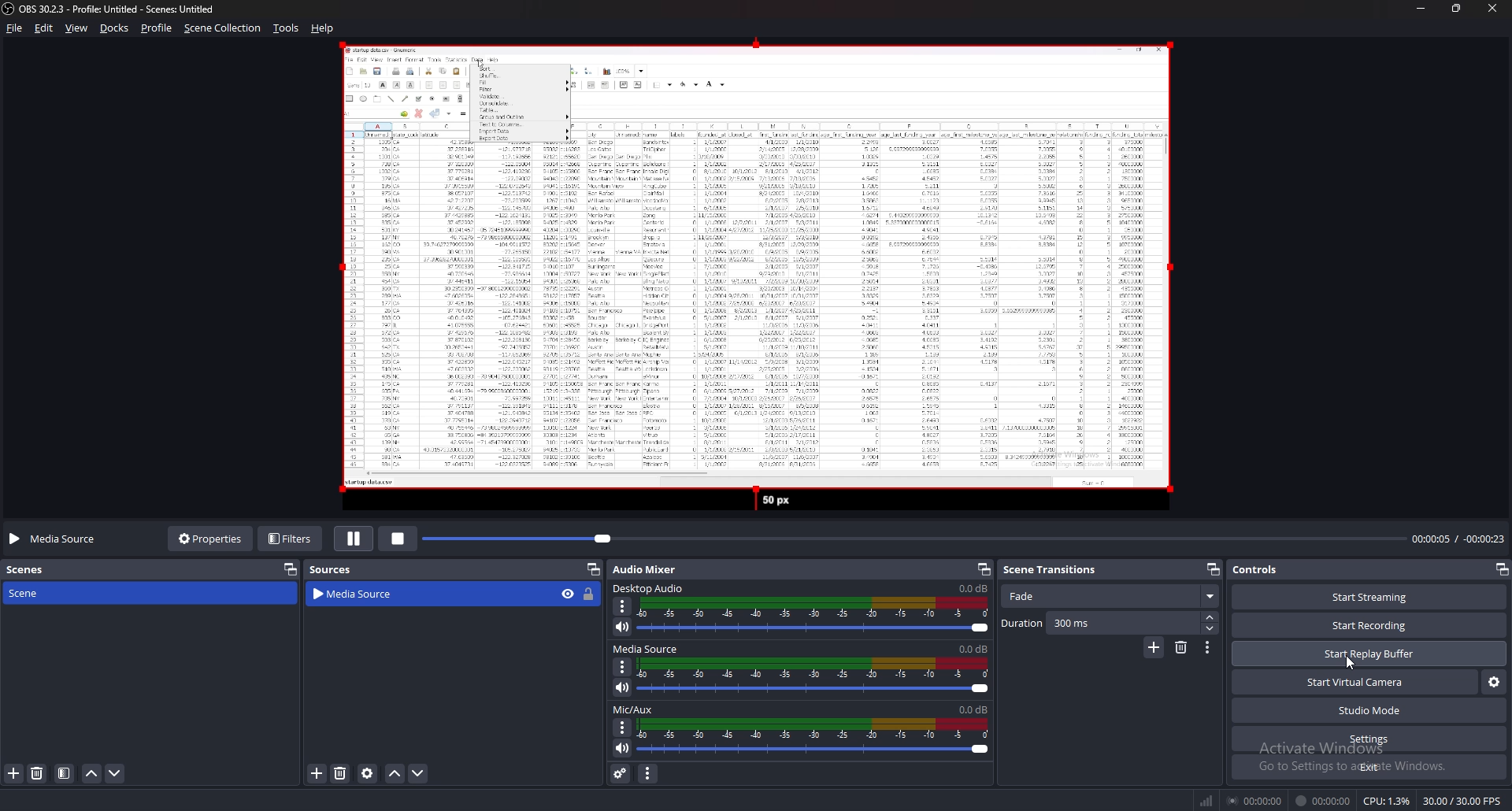 This screenshot has width=1512, height=811. Describe the element at coordinates (1371, 596) in the screenshot. I see `start streaming` at that location.